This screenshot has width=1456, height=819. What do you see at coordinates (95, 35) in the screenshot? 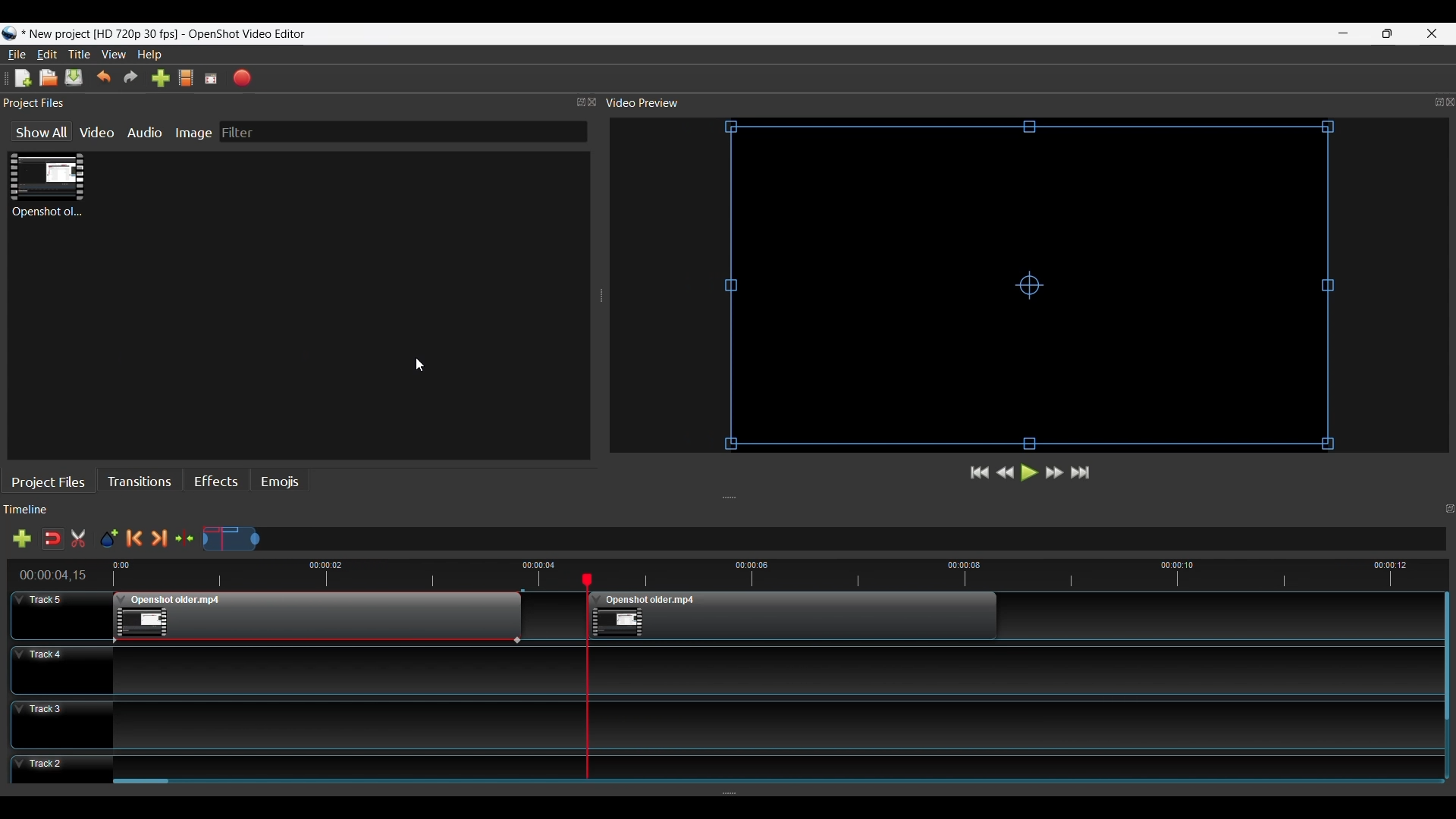
I see `Project Name` at bounding box center [95, 35].